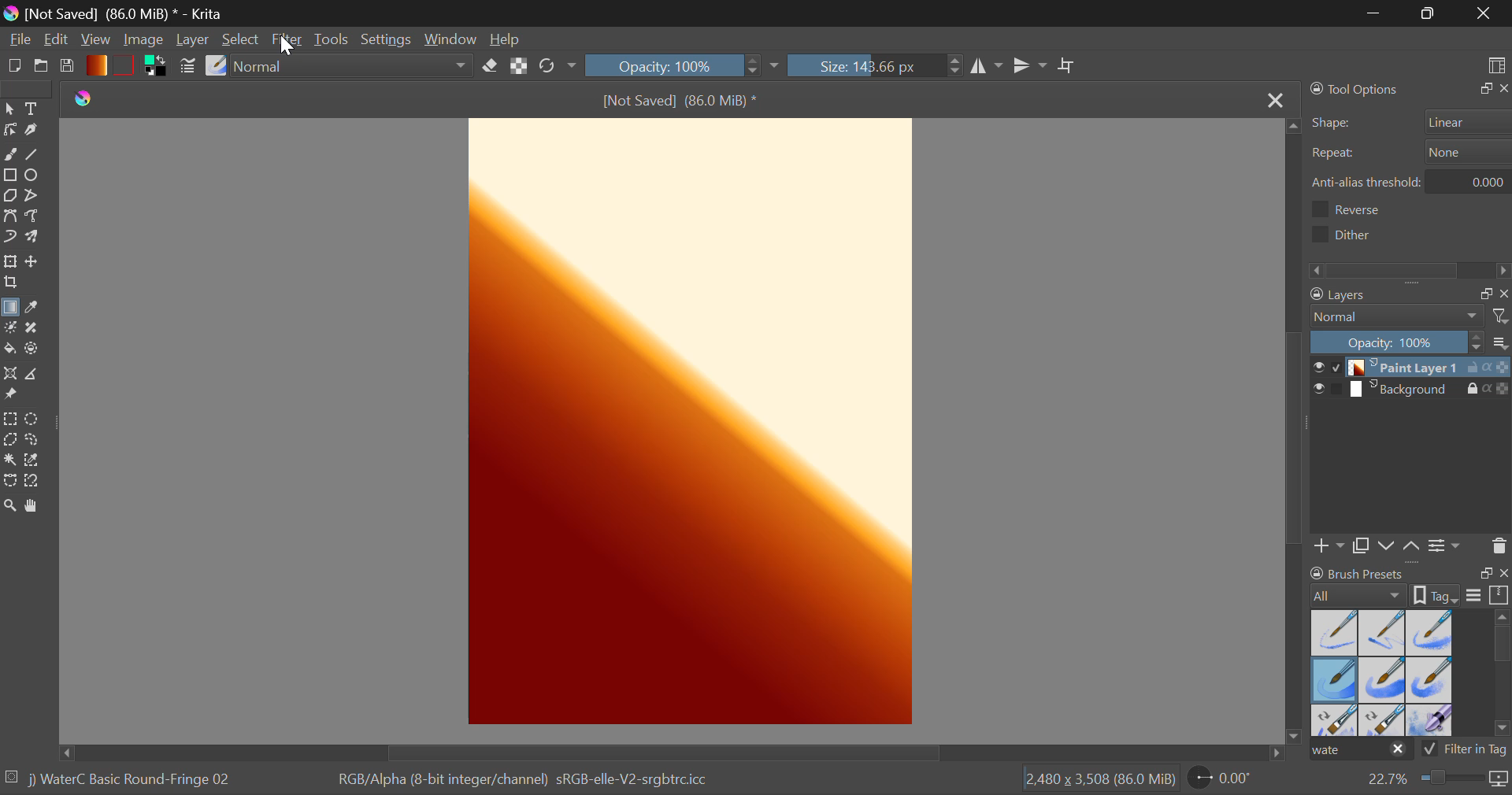 The width and height of the screenshot is (1512, 795). I want to click on background, so click(1407, 390).